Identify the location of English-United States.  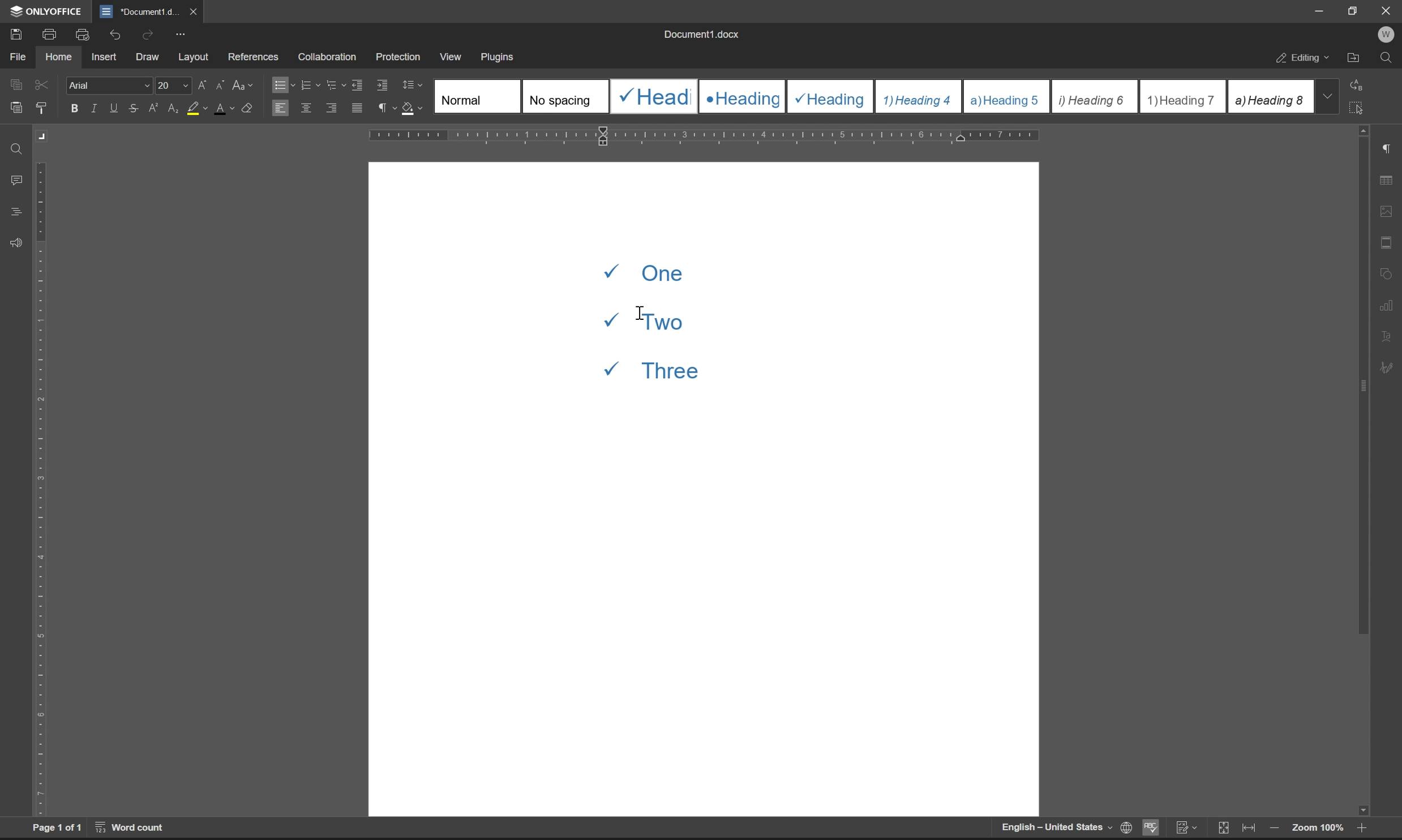
(1055, 828).